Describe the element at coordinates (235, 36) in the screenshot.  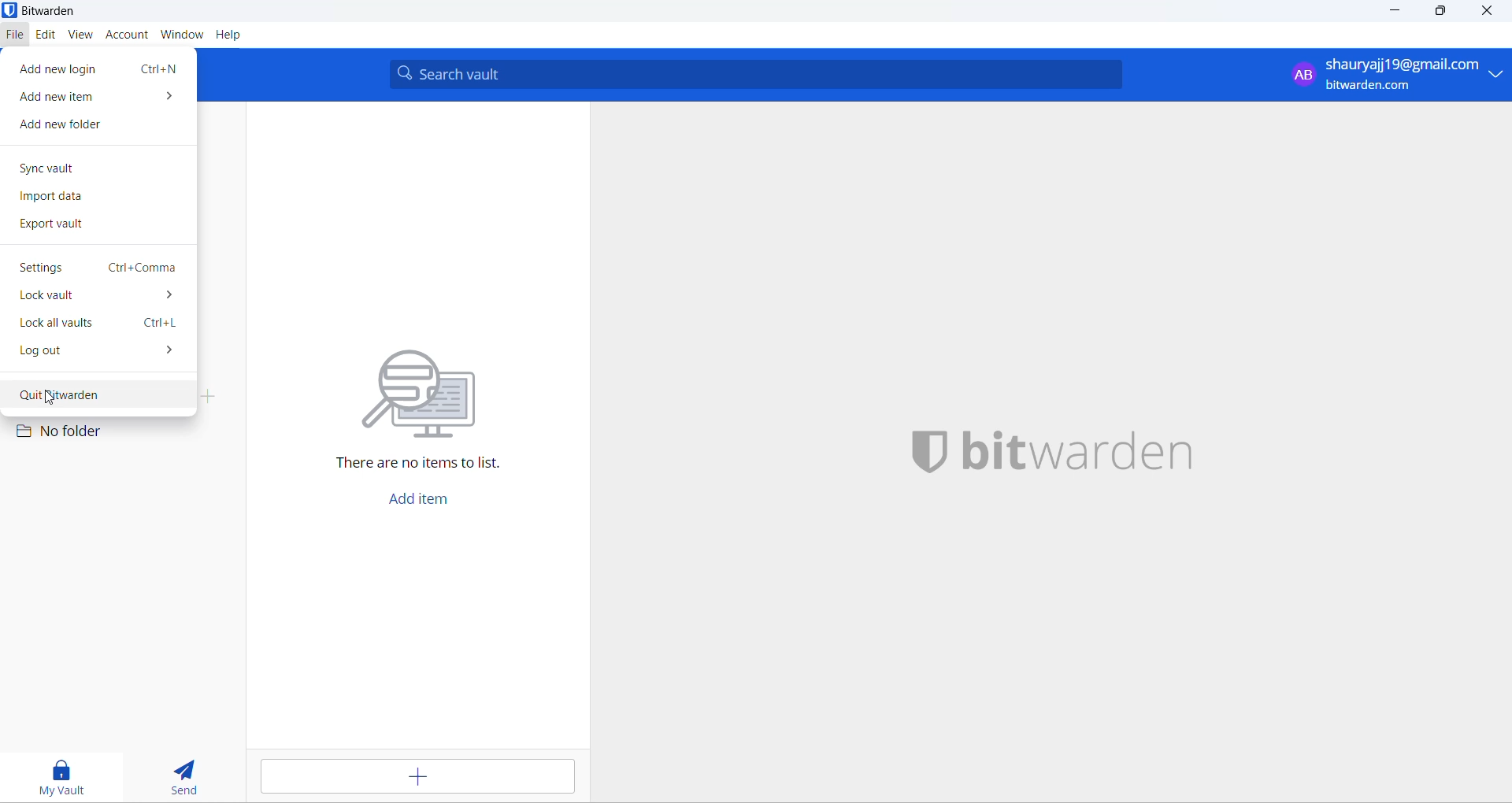
I see `help` at that location.